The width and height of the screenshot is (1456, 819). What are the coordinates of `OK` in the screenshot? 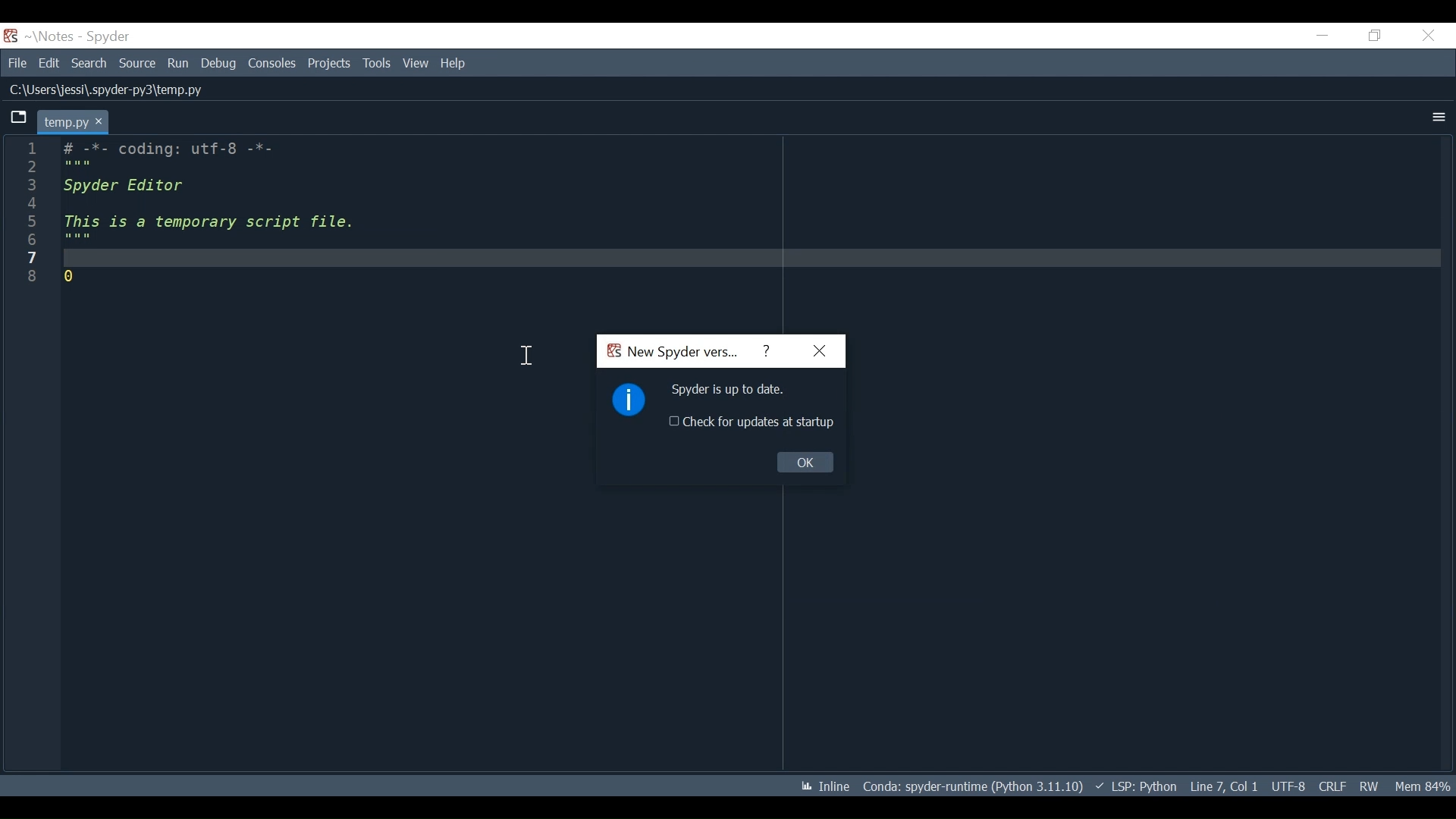 It's located at (805, 462).